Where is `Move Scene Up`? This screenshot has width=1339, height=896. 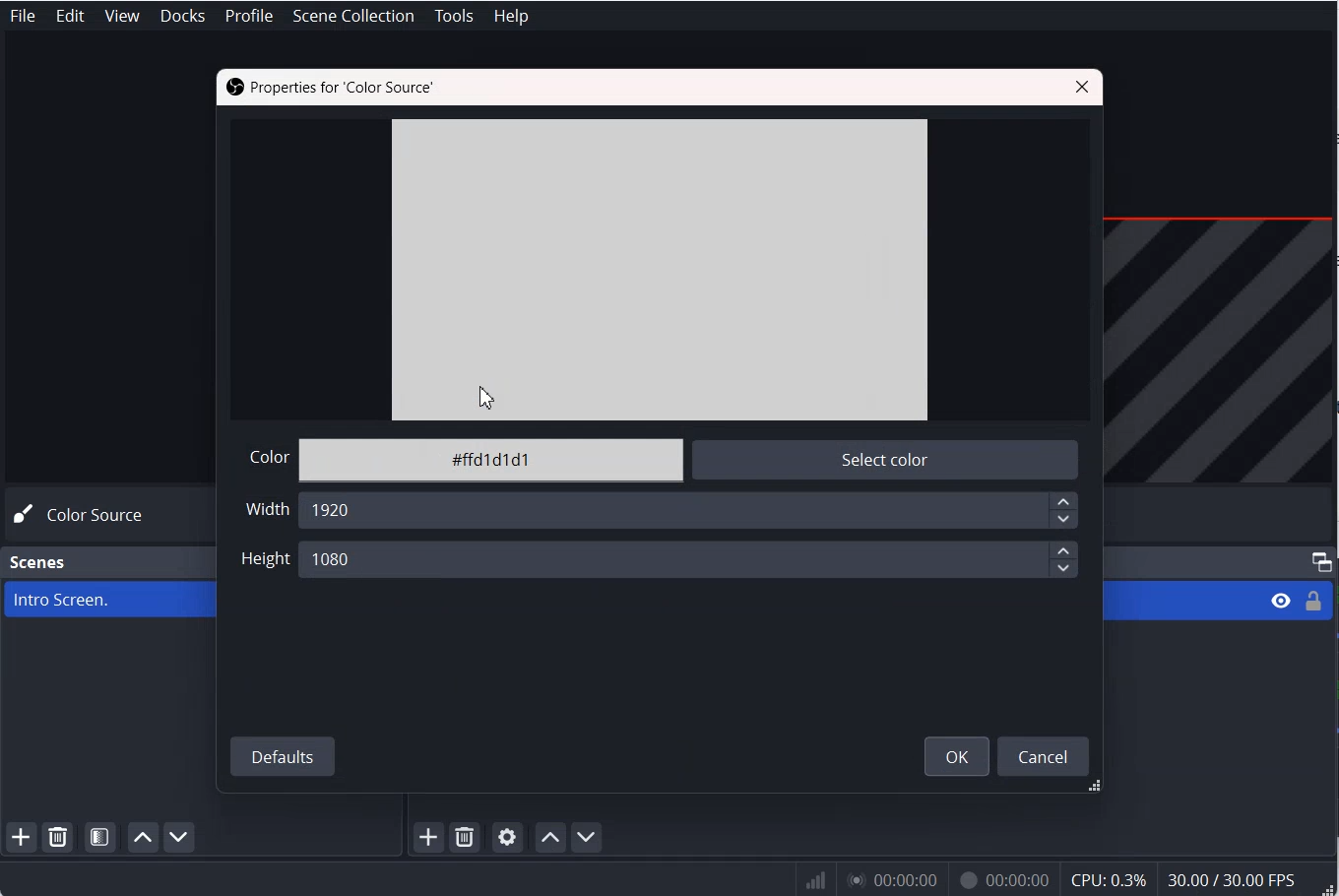
Move Scene Up is located at coordinates (143, 838).